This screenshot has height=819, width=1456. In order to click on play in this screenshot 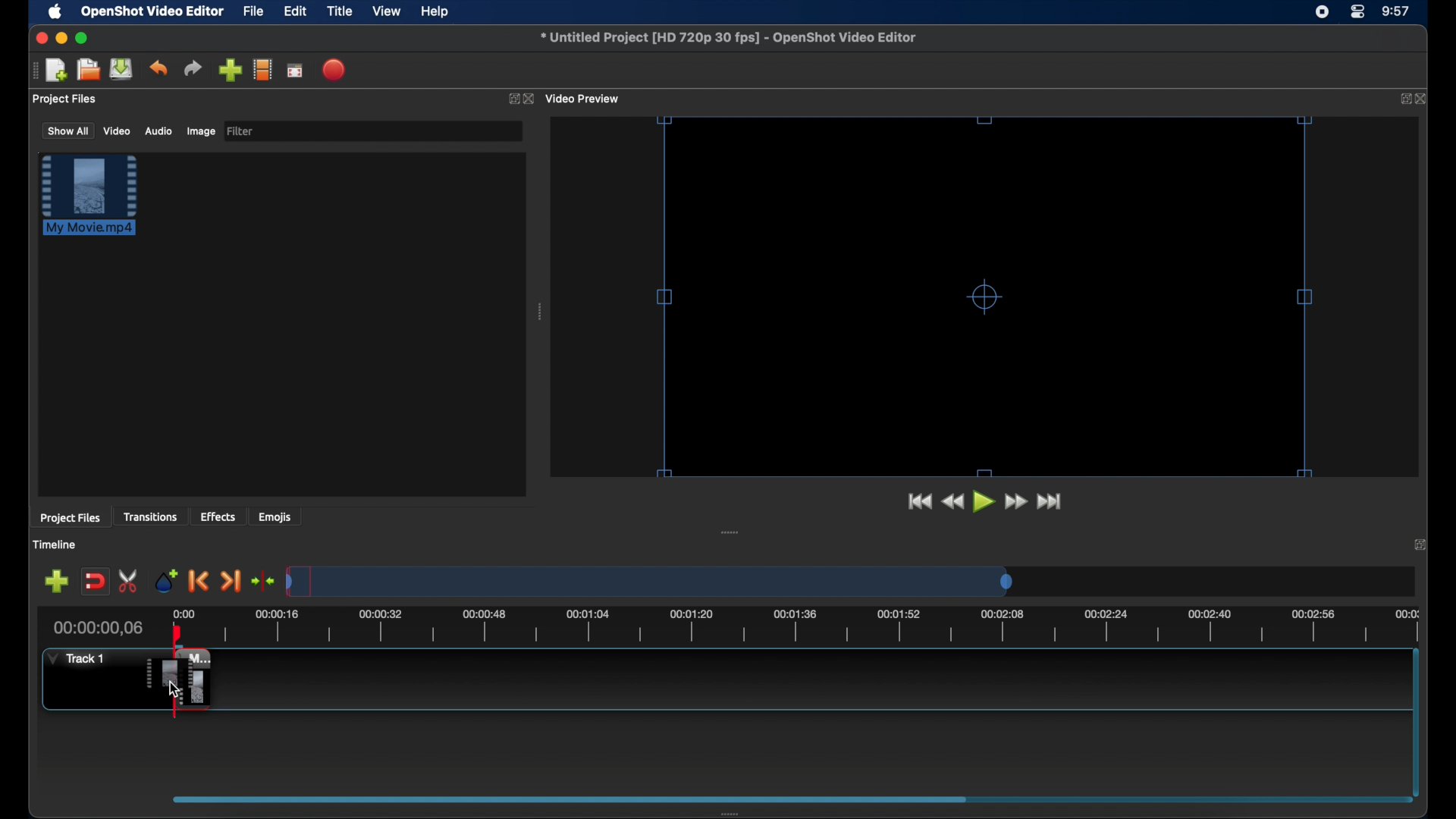, I will do `click(984, 502)`.